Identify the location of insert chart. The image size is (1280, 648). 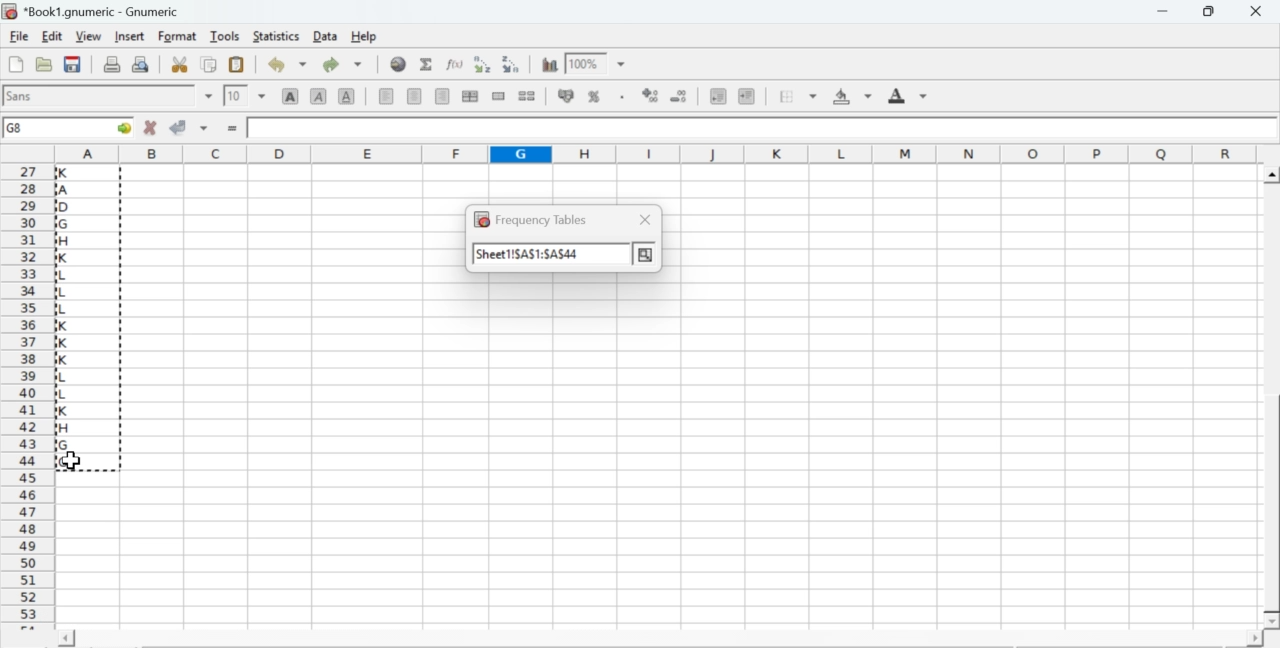
(550, 63).